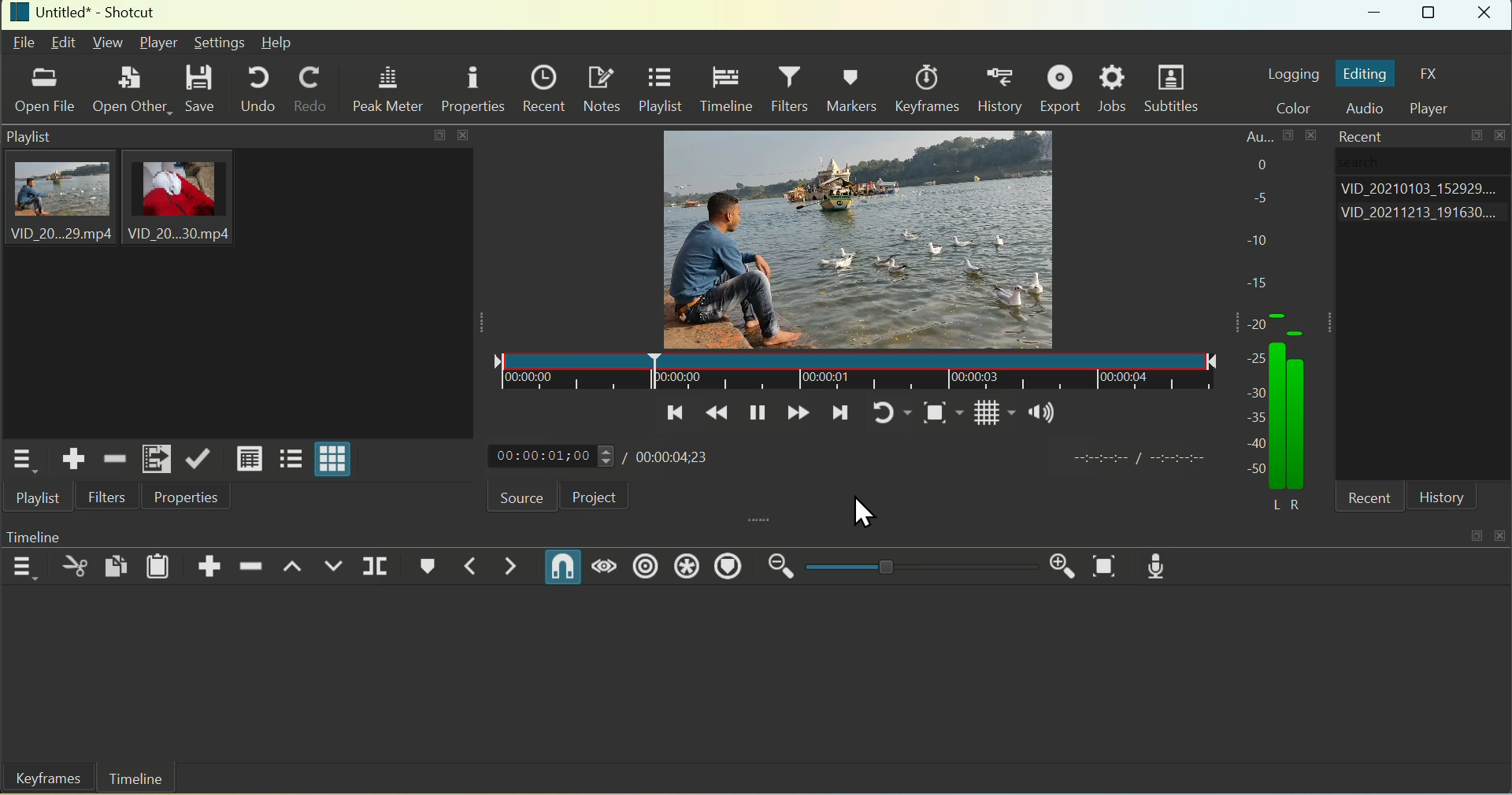 The height and width of the screenshot is (795, 1512). Describe the element at coordinates (1004, 89) in the screenshot. I see `History` at that location.